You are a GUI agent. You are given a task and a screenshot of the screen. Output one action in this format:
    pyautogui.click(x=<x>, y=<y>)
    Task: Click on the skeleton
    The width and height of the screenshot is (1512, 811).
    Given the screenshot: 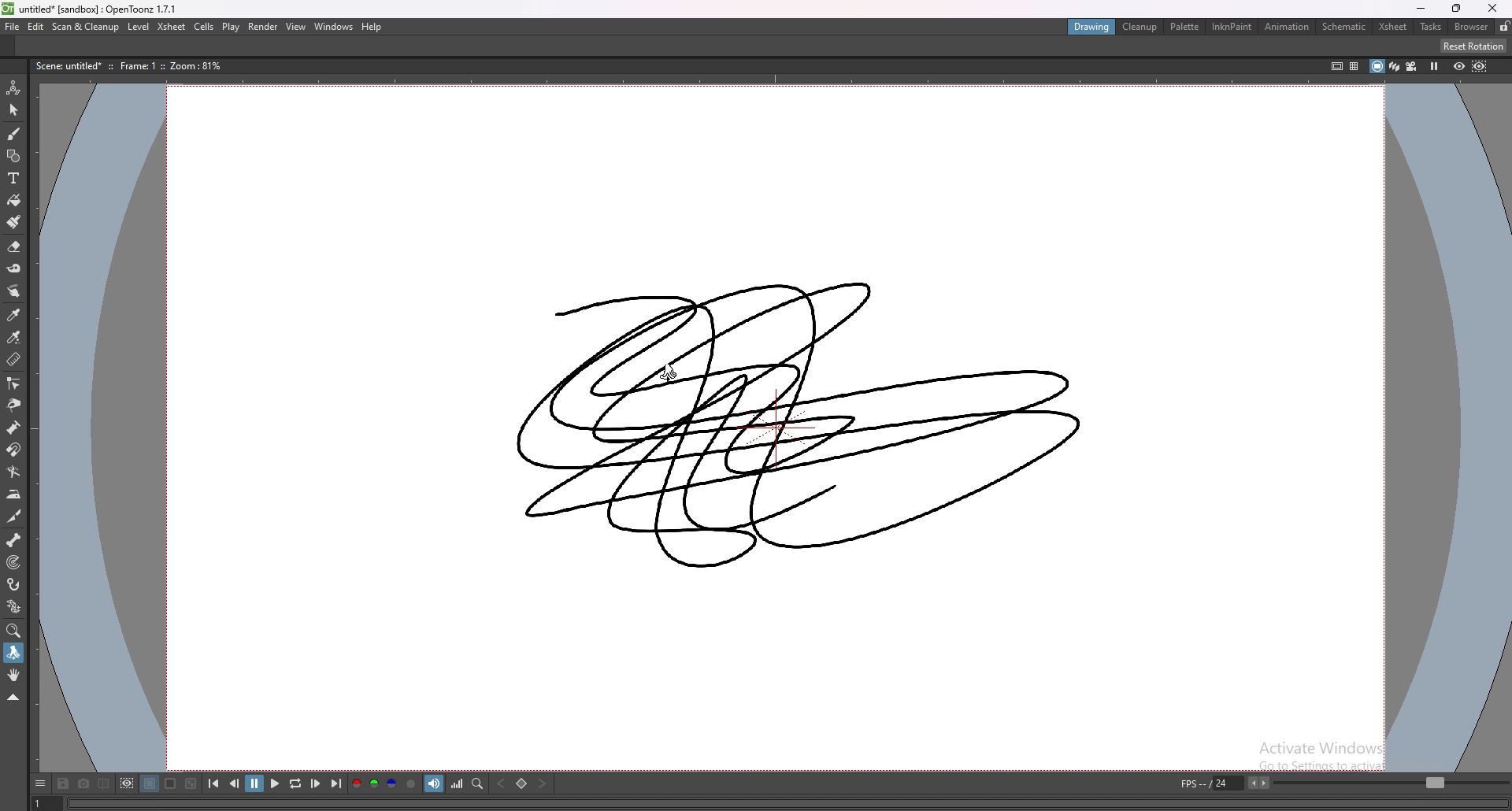 What is the action you would take?
    pyautogui.click(x=13, y=539)
    